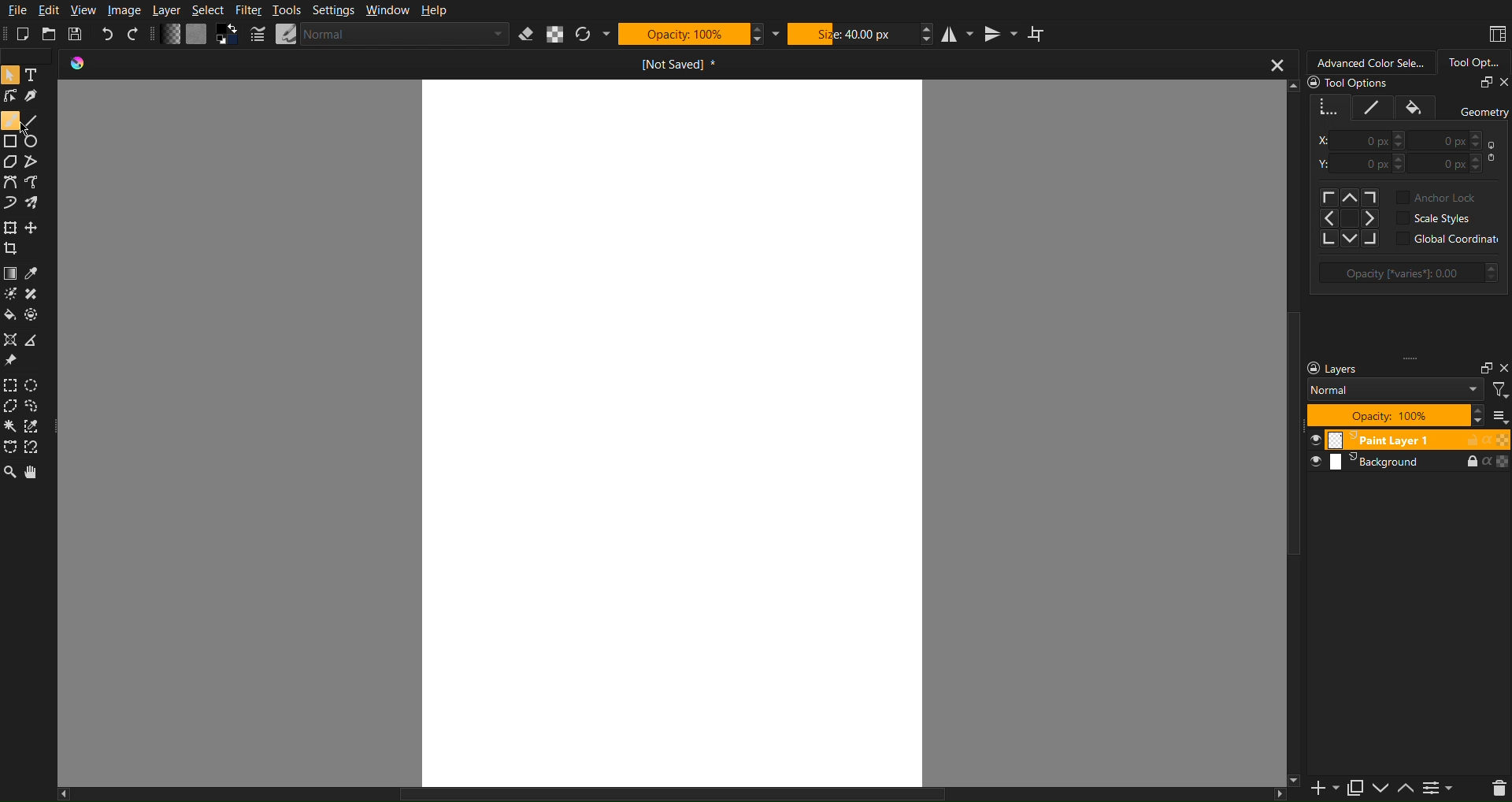 Image resolution: width=1512 pixels, height=802 pixels. I want to click on Delete, so click(1494, 789).